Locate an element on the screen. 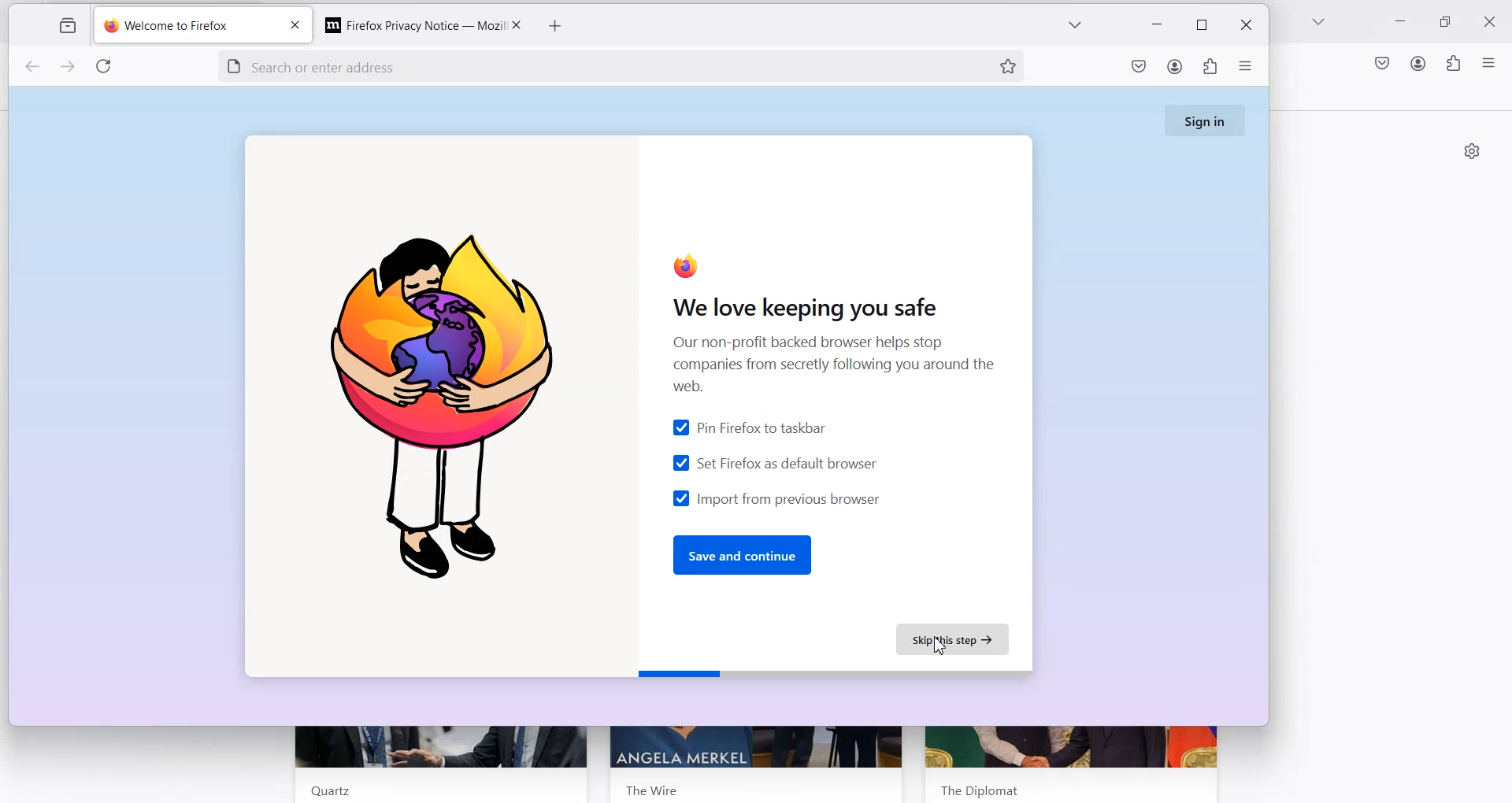 The image size is (1512, 803). The Dipolomat is located at coordinates (975, 787).